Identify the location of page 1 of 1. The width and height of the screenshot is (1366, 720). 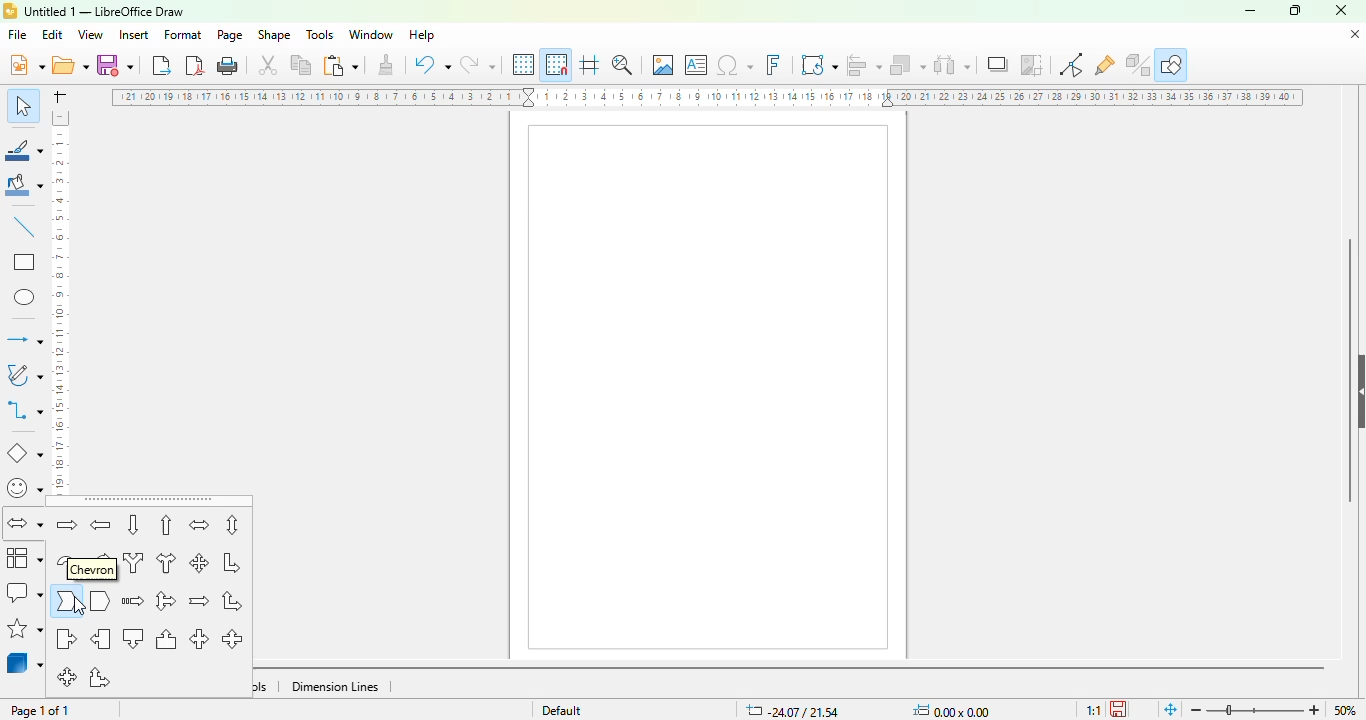
(40, 711).